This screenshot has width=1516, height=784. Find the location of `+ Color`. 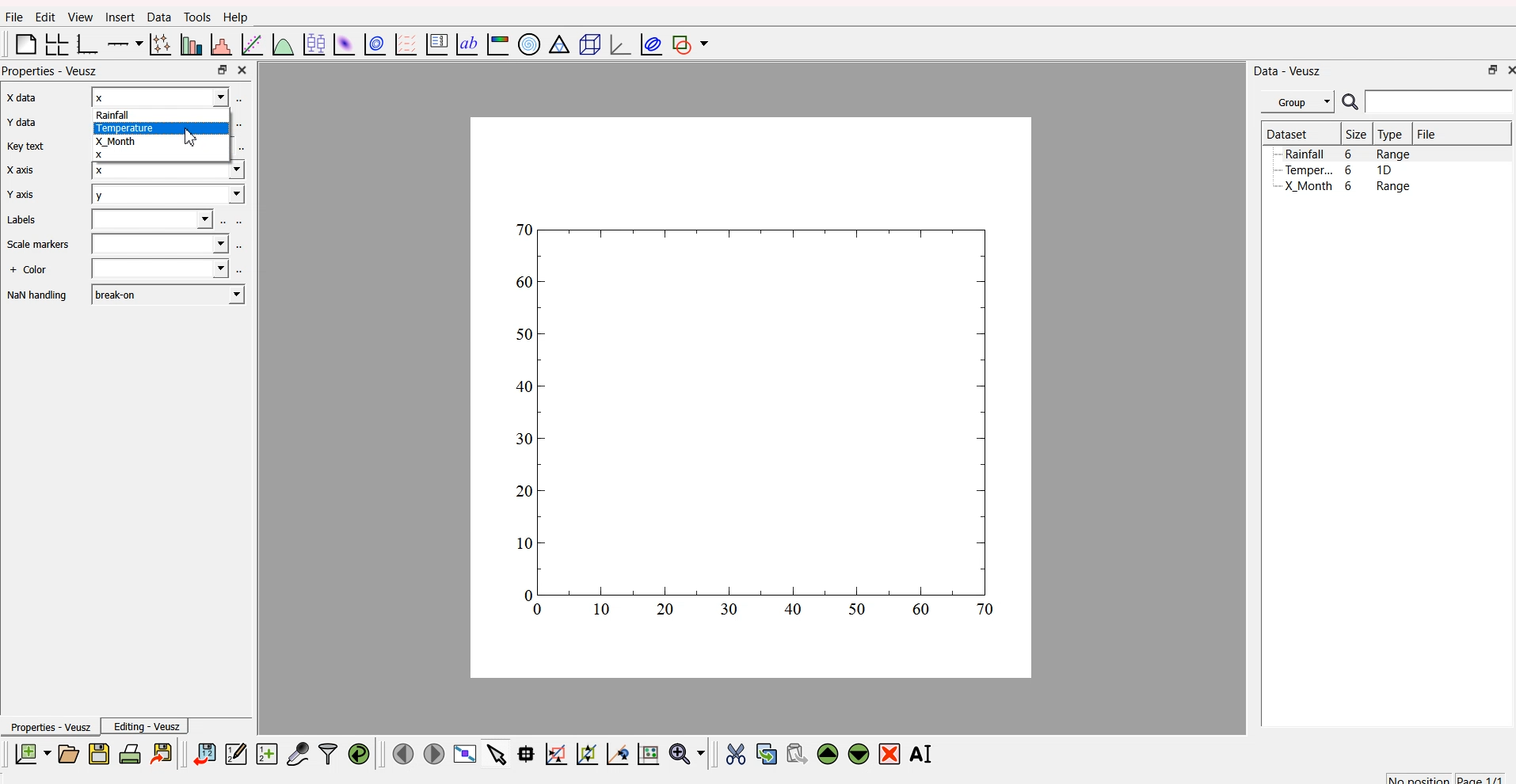

+ Color is located at coordinates (30, 271).